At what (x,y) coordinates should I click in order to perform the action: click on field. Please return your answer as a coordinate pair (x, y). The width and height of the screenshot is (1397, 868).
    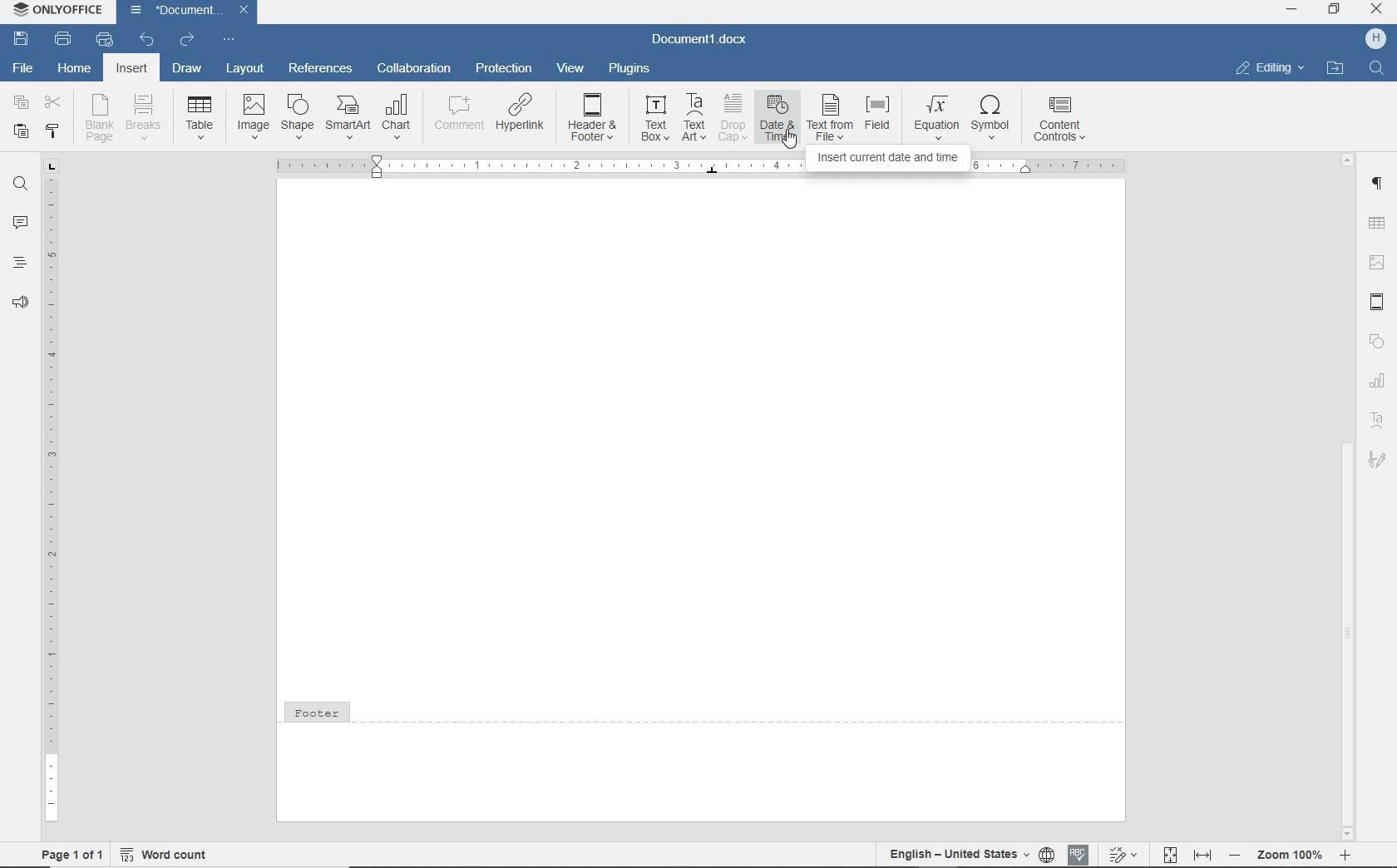
    Looking at the image, I should click on (881, 118).